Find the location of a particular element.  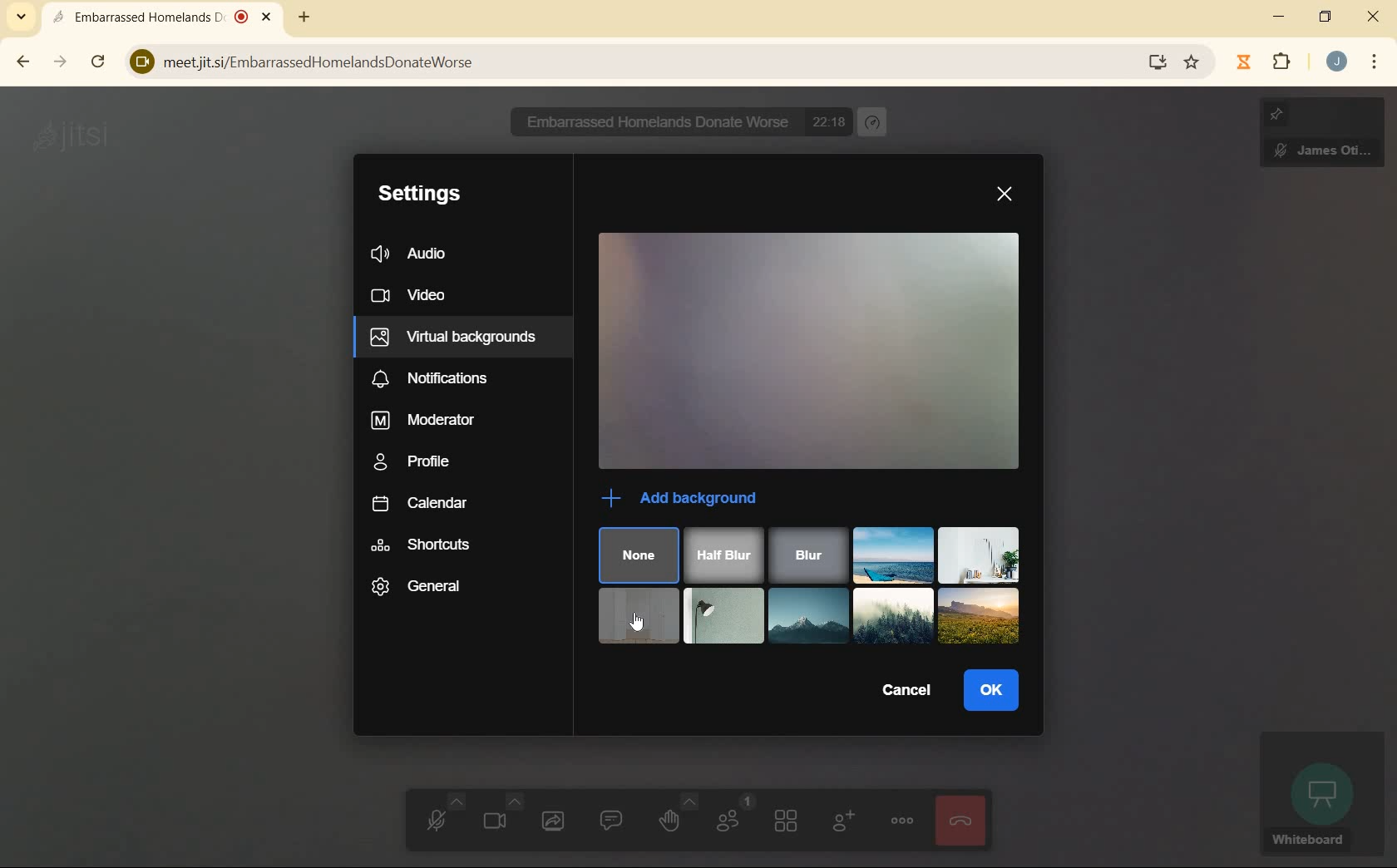

close is located at coordinates (1372, 17).